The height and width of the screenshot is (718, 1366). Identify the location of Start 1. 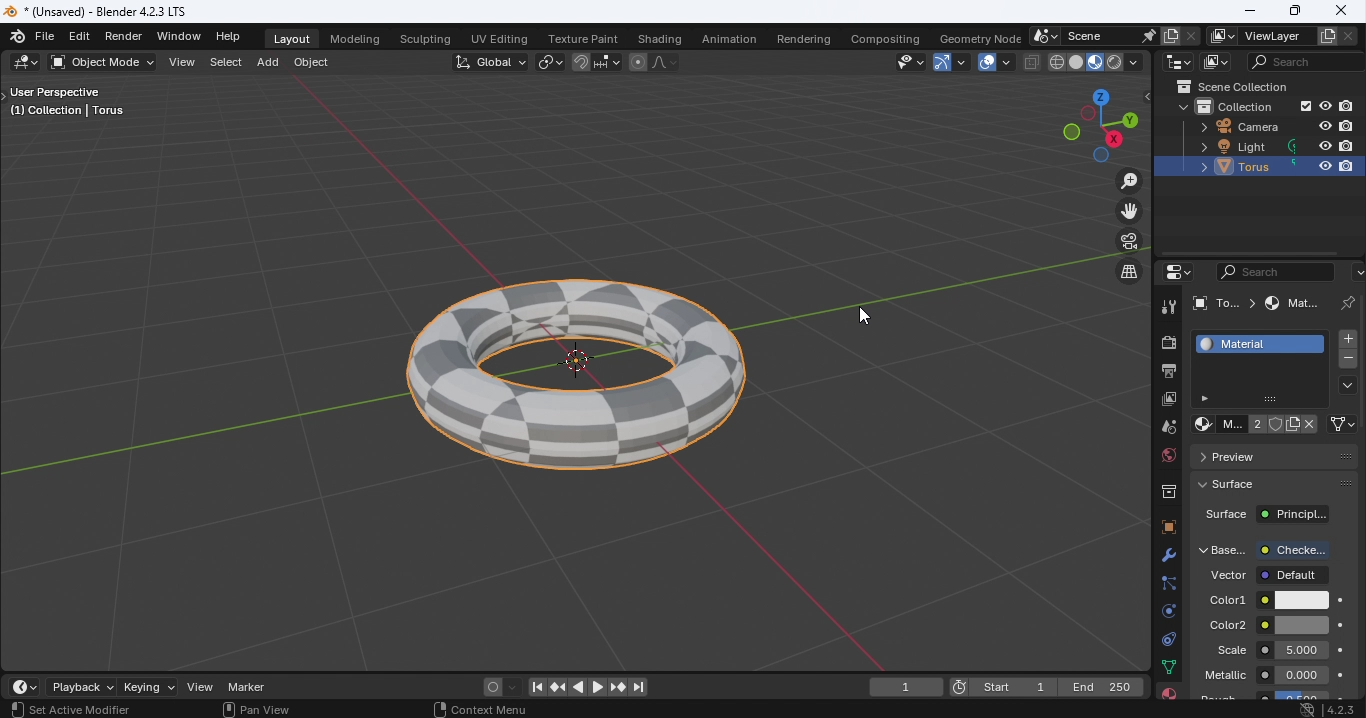
(1016, 687).